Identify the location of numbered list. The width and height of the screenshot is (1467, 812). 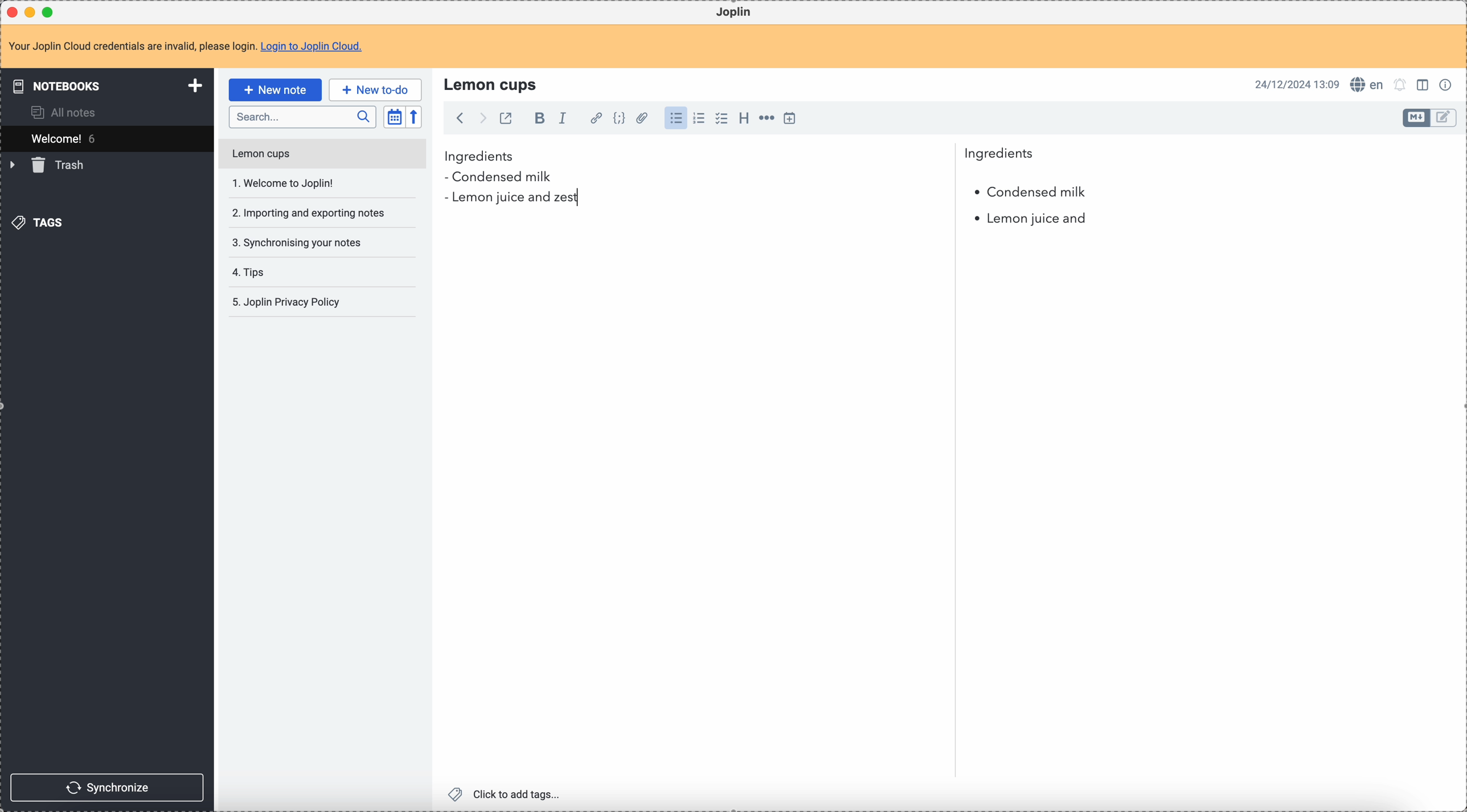
(700, 118).